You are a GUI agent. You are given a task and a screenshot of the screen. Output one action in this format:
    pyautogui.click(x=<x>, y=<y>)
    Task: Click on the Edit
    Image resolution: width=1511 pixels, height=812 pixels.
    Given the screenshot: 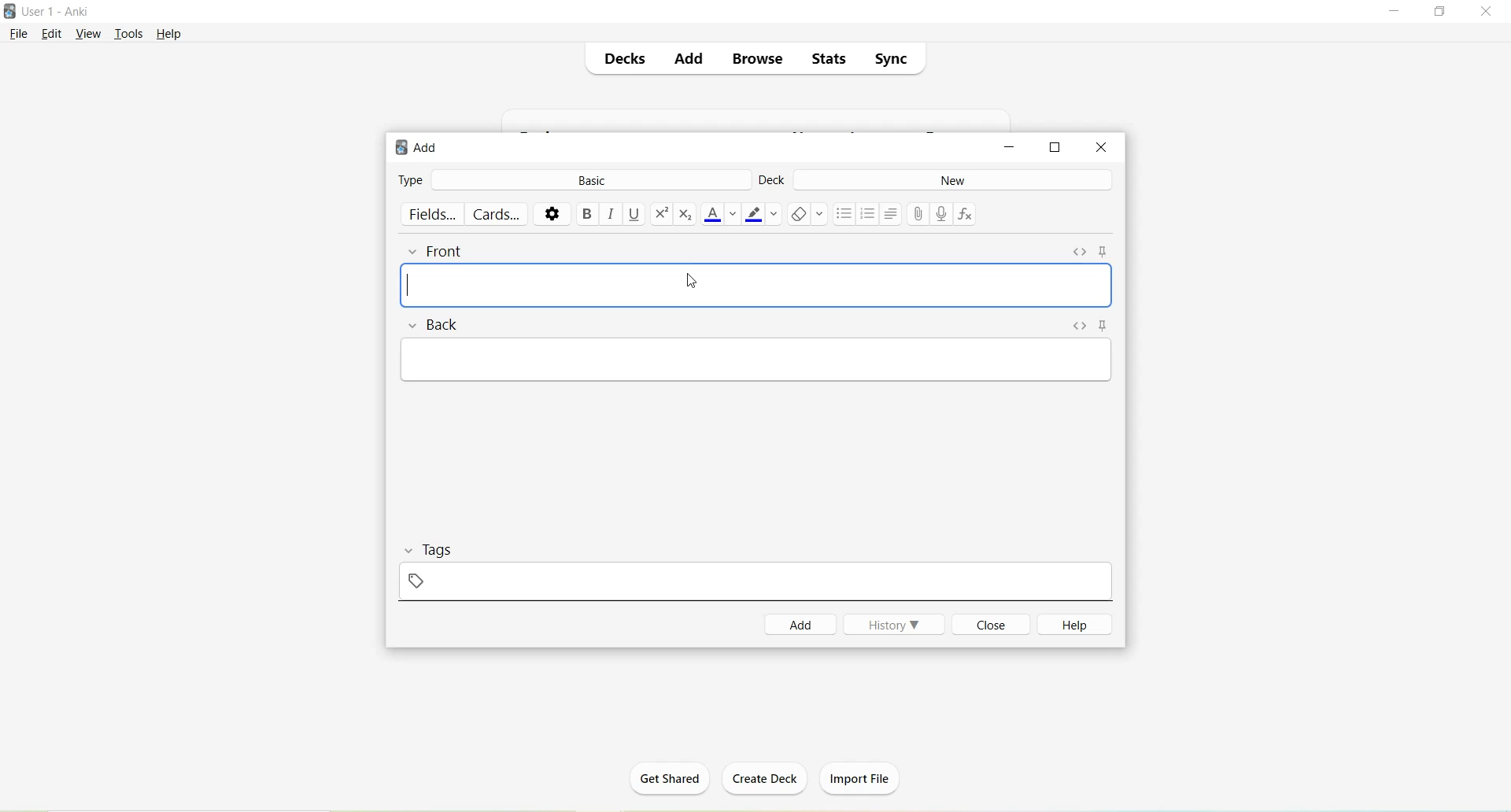 What is the action you would take?
    pyautogui.click(x=56, y=35)
    